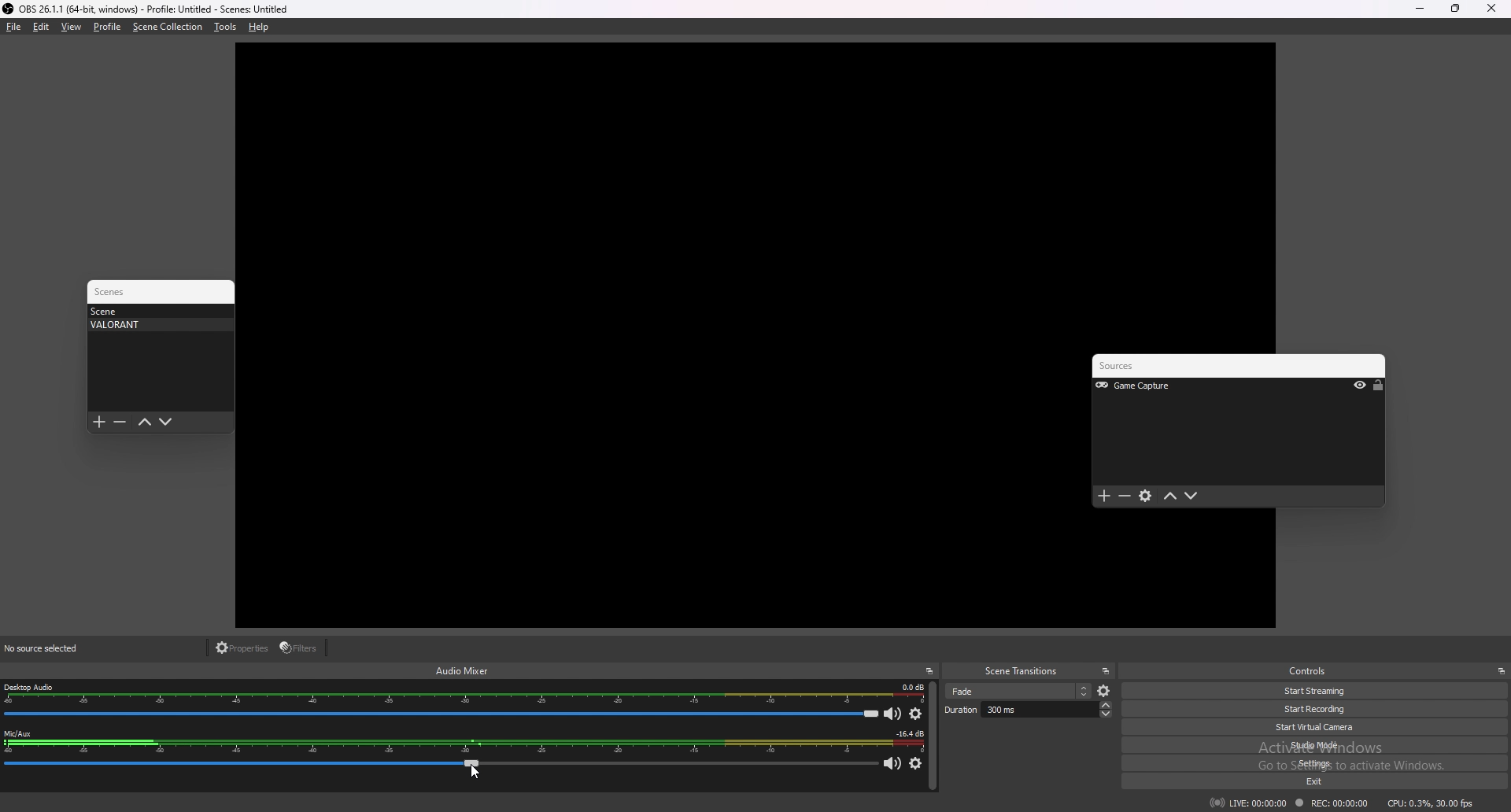 The height and width of the screenshot is (812, 1511). I want to click on mute desktop audio, so click(893, 713).